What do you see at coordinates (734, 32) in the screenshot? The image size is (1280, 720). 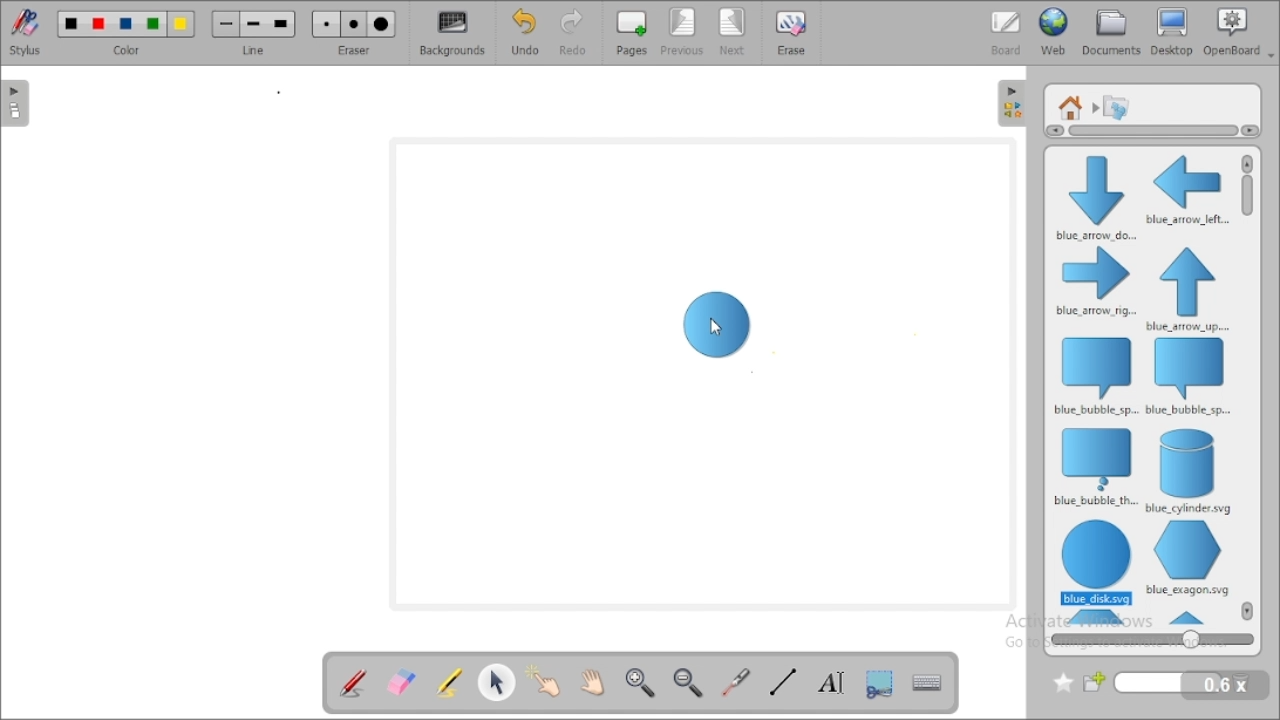 I see `next` at bounding box center [734, 32].